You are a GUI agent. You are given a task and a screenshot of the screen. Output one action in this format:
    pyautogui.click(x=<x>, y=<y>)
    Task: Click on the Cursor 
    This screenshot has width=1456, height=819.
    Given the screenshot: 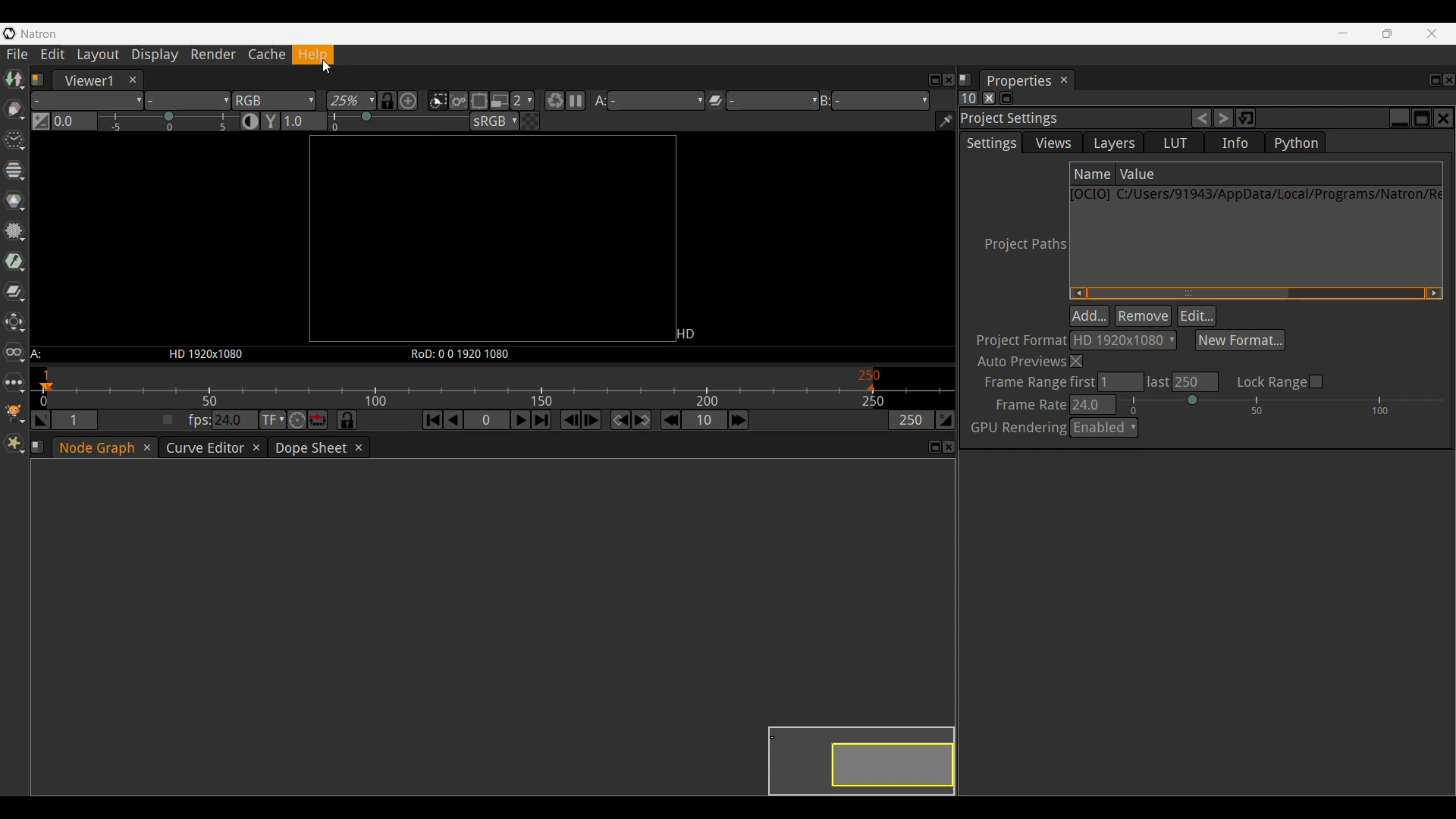 What is the action you would take?
    pyautogui.click(x=326, y=67)
    